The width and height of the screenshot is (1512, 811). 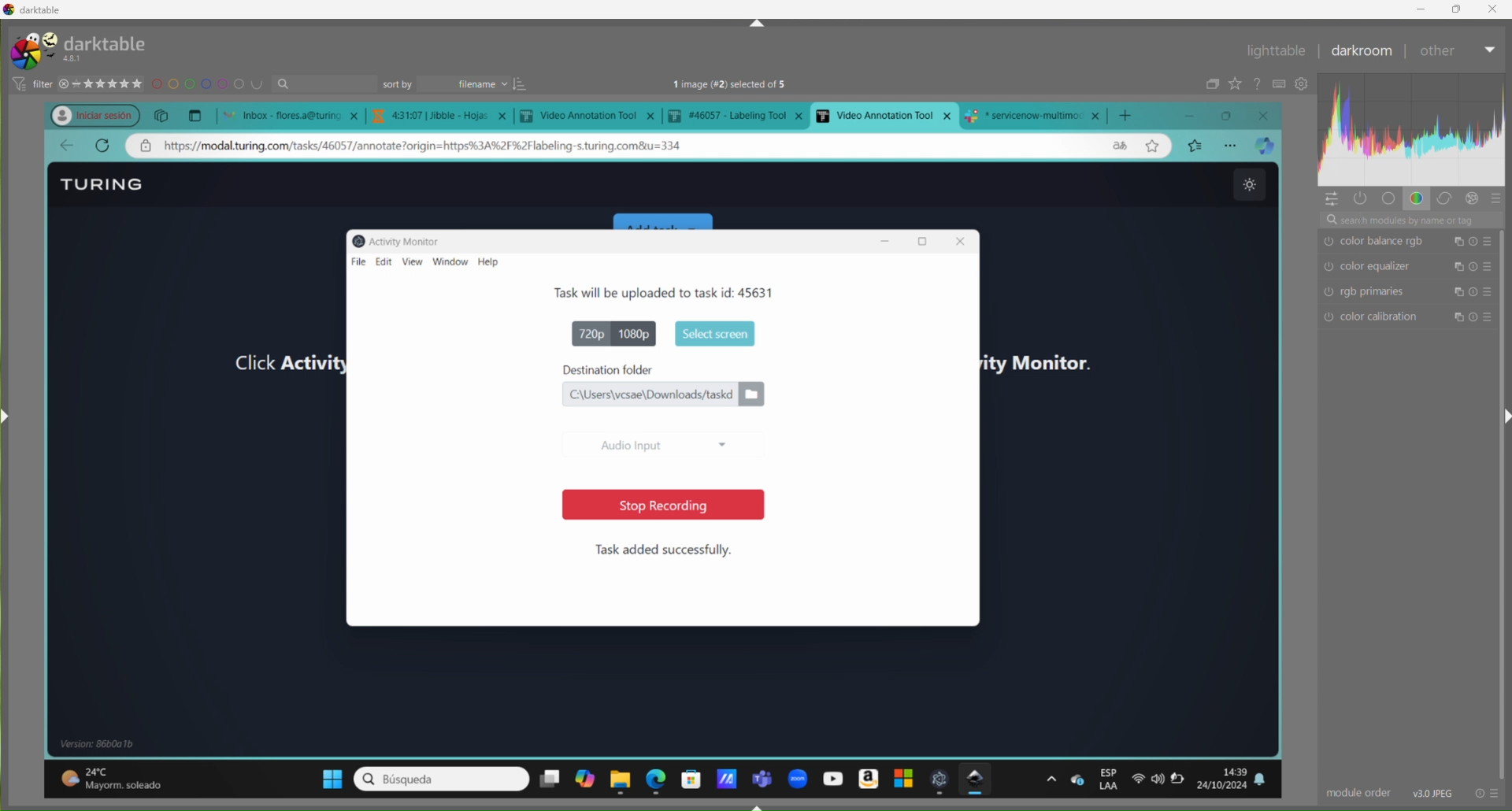 What do you see at coordinates (1060, 356) in the screenshot?
I see `monitor` at bounding box center [1060, 356].